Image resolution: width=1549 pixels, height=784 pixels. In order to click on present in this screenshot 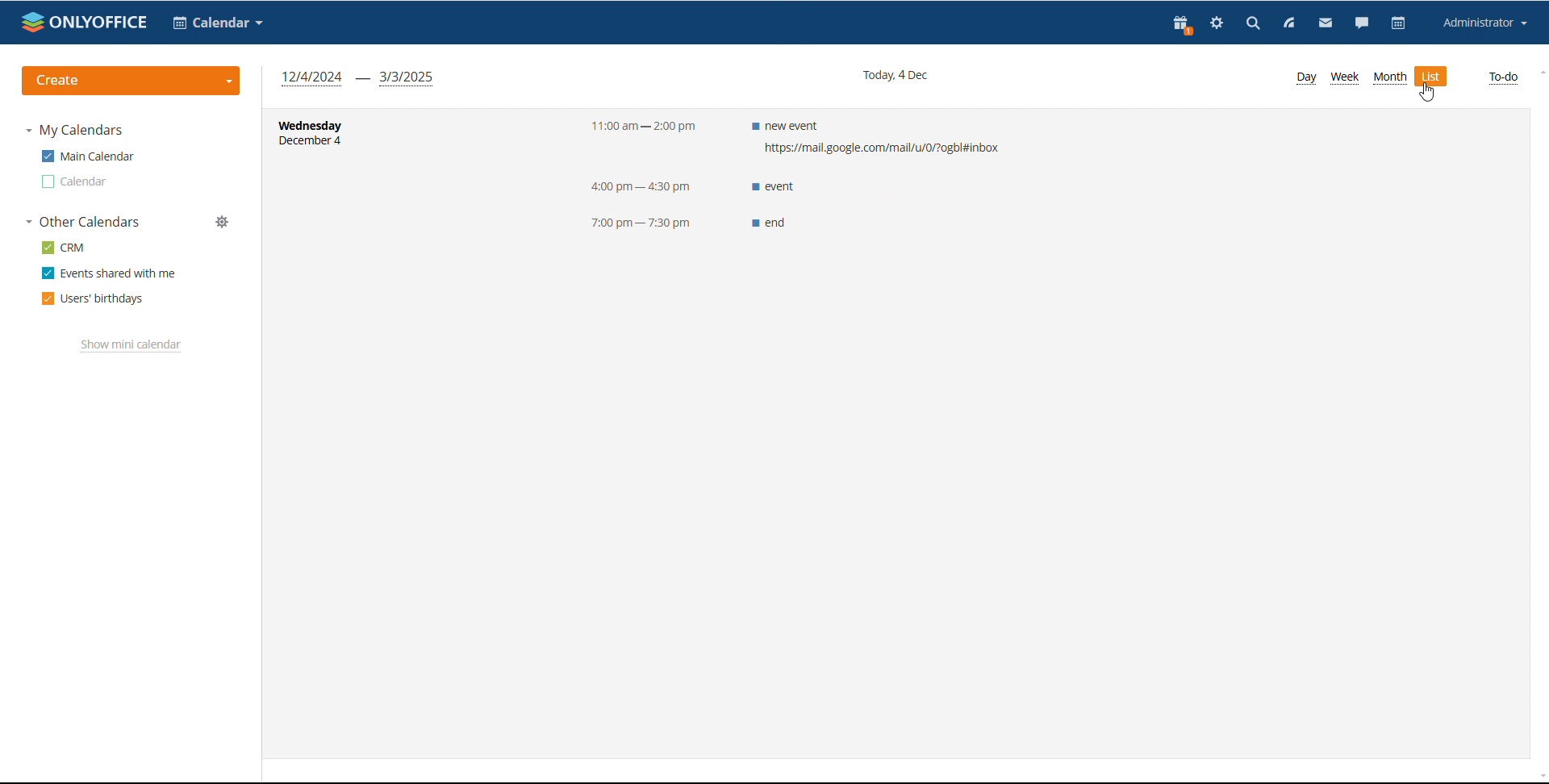, I will do `click(1181, 25)`.